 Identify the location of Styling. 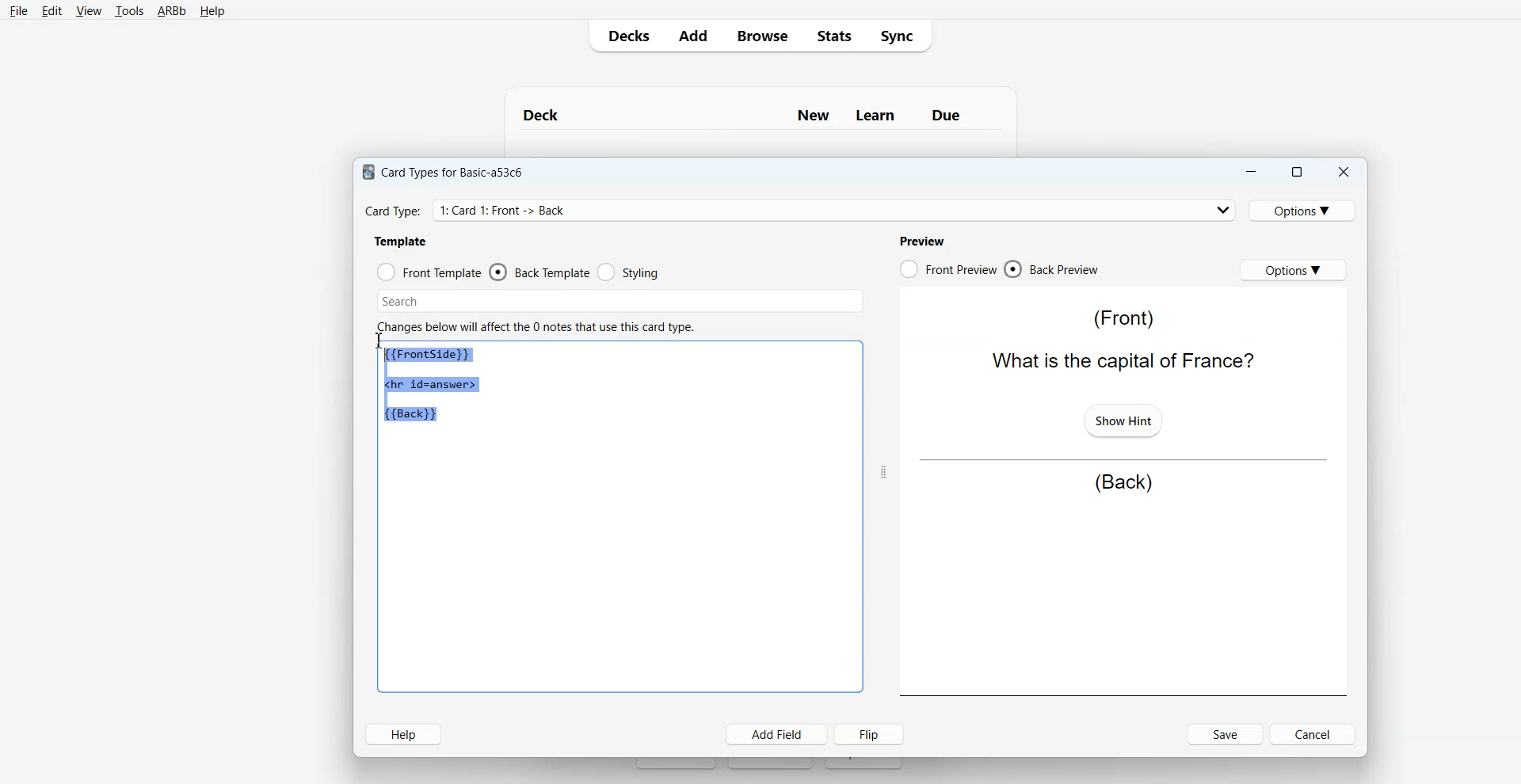
(630, 272).